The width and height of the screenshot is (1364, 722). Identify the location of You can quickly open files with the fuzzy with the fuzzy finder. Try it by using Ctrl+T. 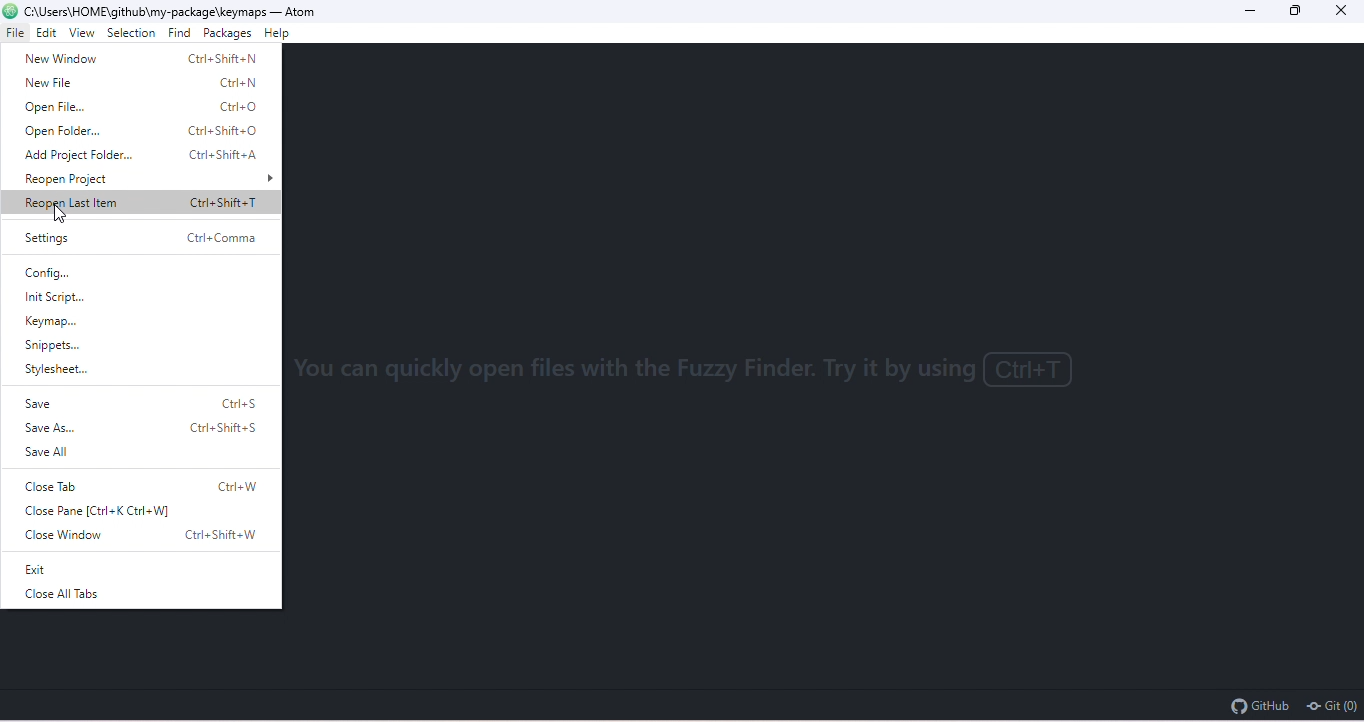
(687, 363).